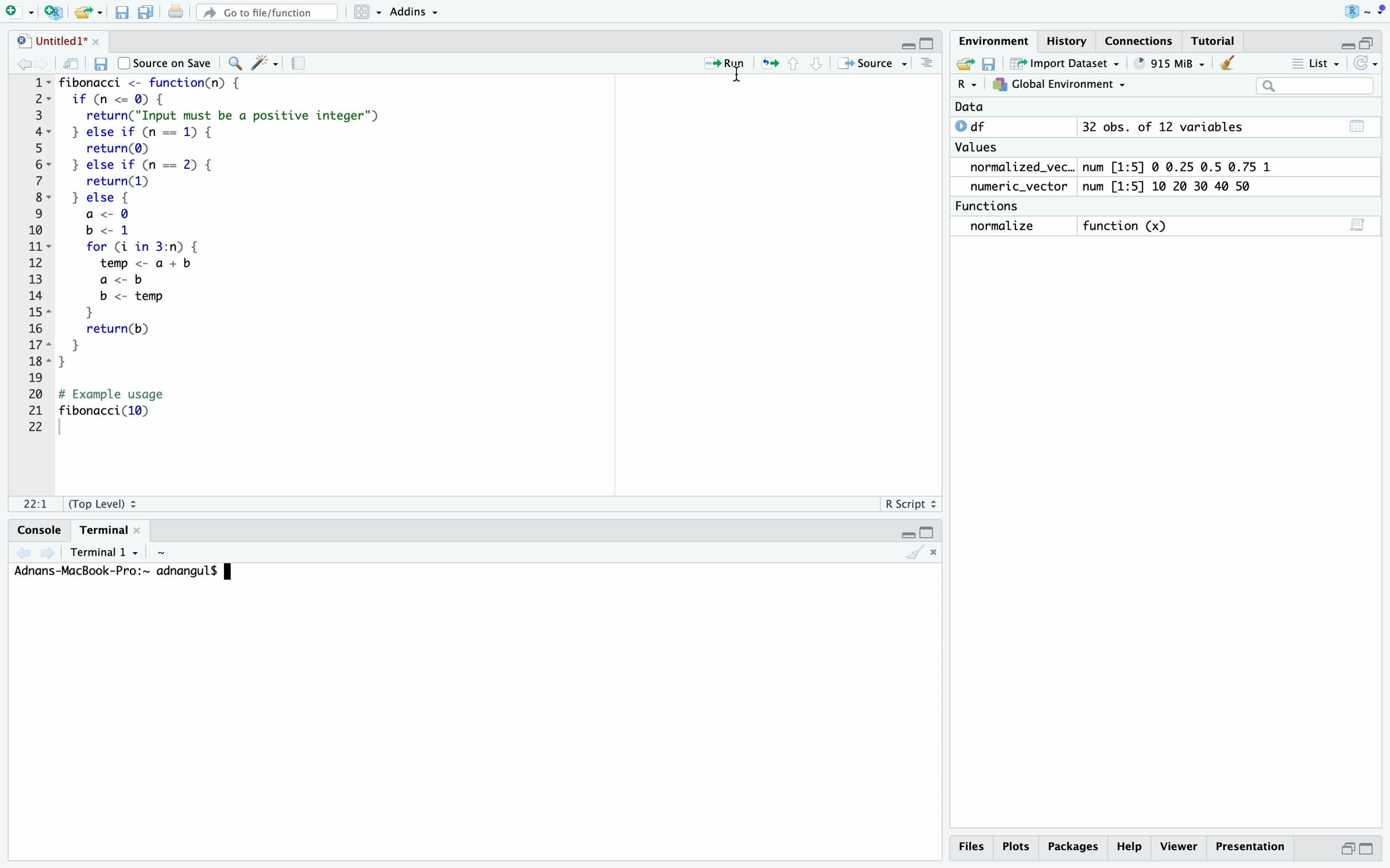 The image size is (1390, 868). I want to click on functions, so click(991, 207).